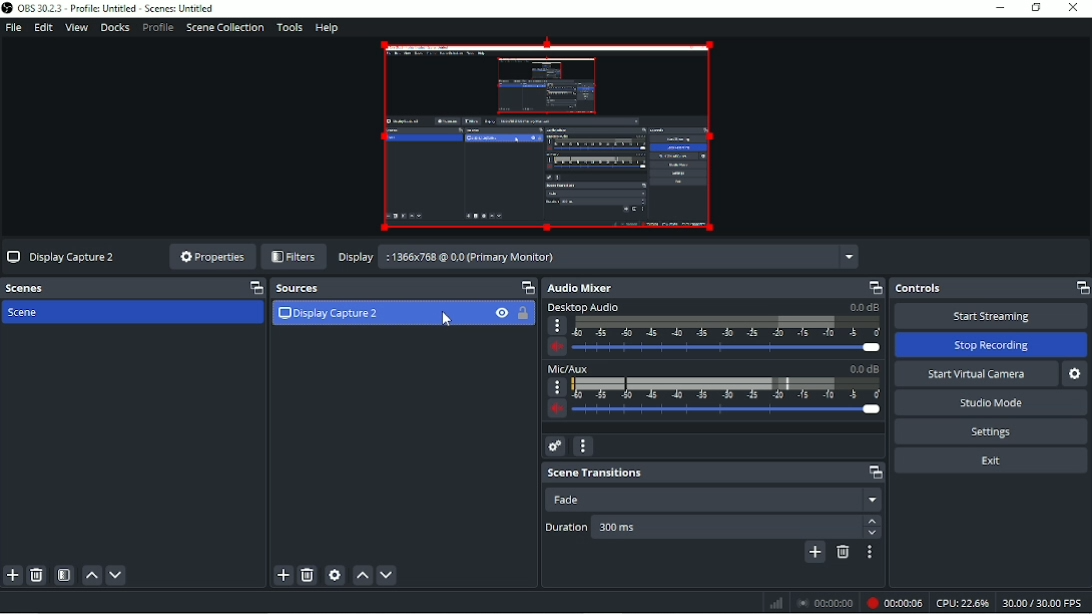 The height and width of the screenshot is (614, 1092). What do you see at coordinates (990, 345) in the screenshot?
I see `Stop recording` at bounding box center [990, 345].